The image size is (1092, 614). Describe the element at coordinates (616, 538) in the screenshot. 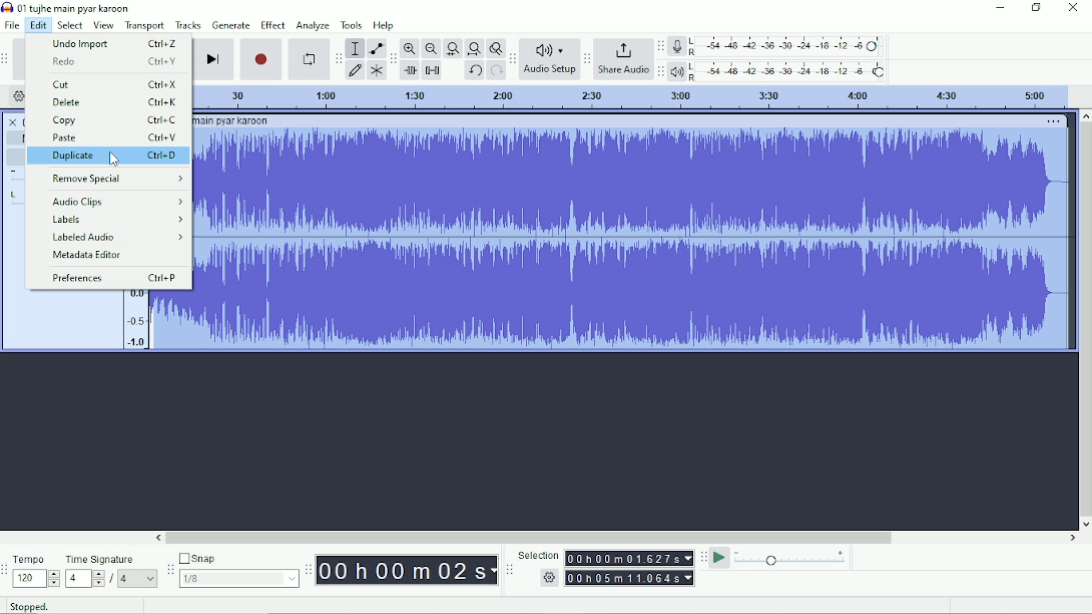

I see `Horizontal scrollbar` at that location.